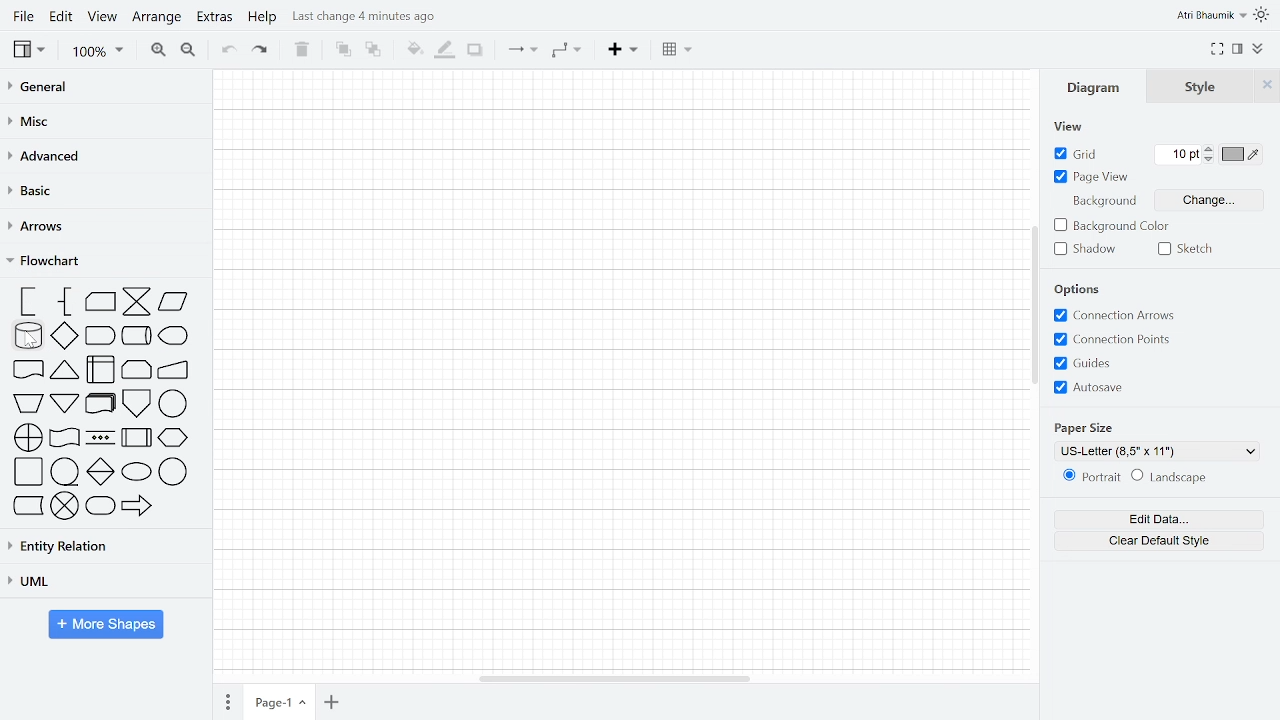  What do you see at coordinates (174, 472) in the screenshot?
I see `start ` at bounding box center [174, 472].